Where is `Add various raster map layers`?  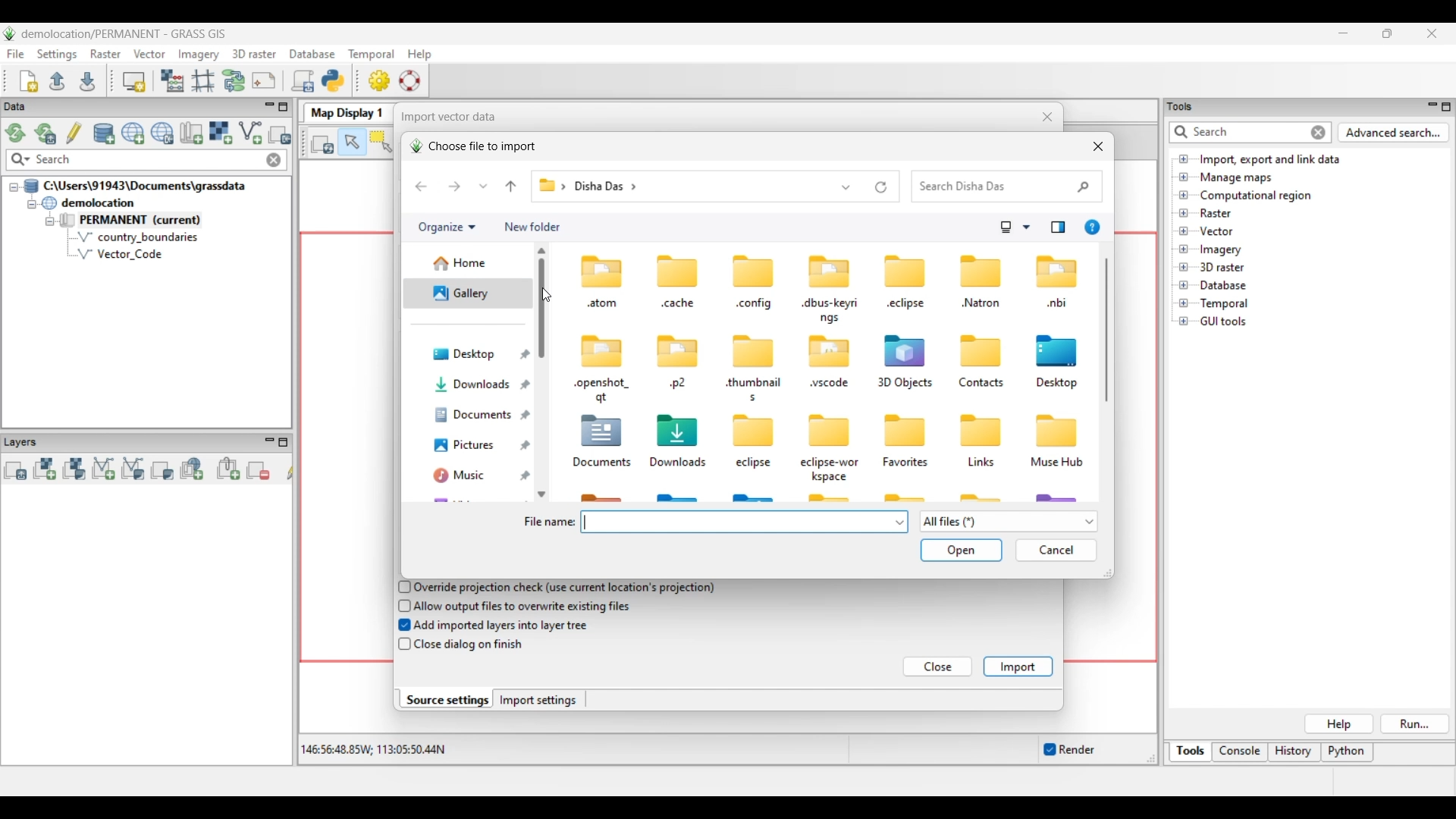
Add various raster map layers is located at coordinates (74, 469).